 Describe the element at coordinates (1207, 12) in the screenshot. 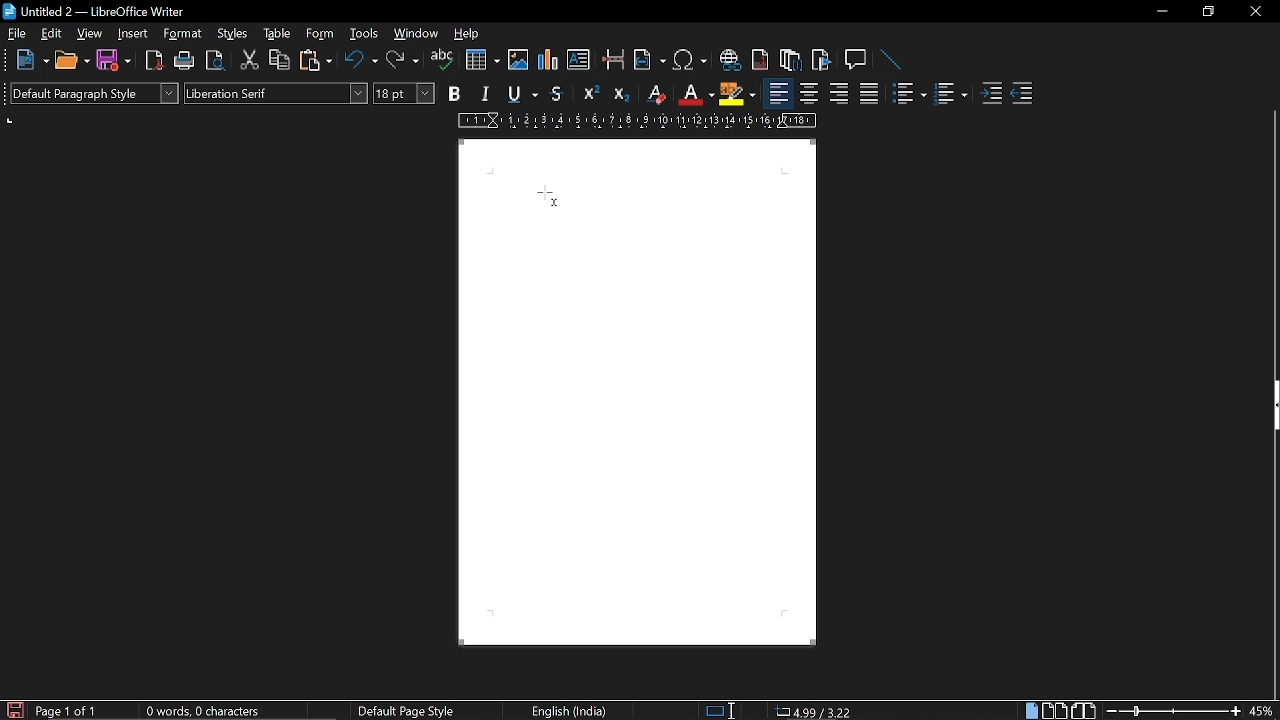

I see `restore down` at that location.